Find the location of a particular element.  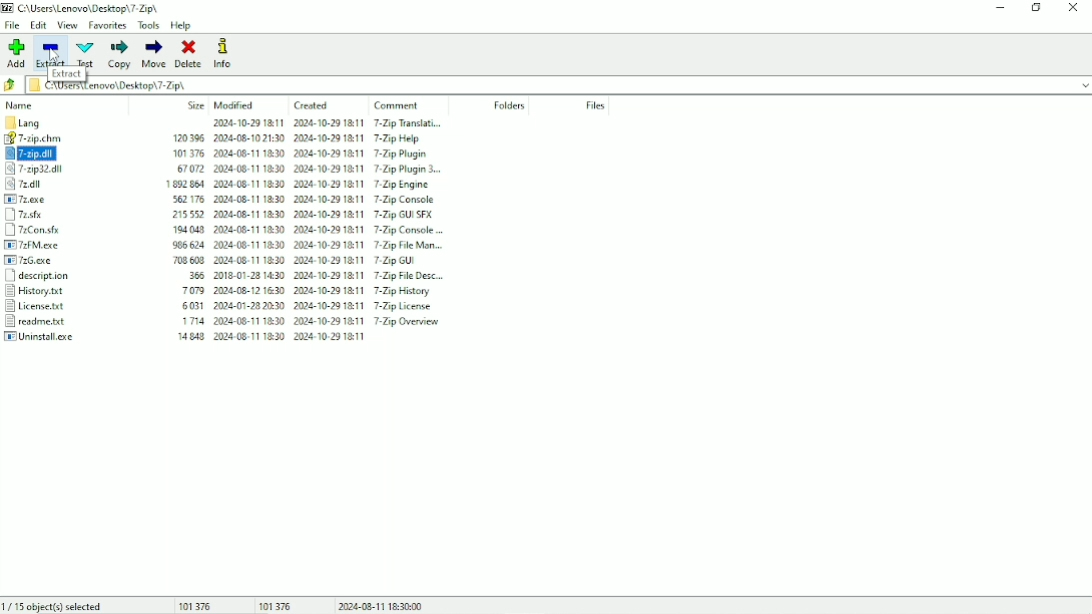

Created is located at coordinates (311, 106).